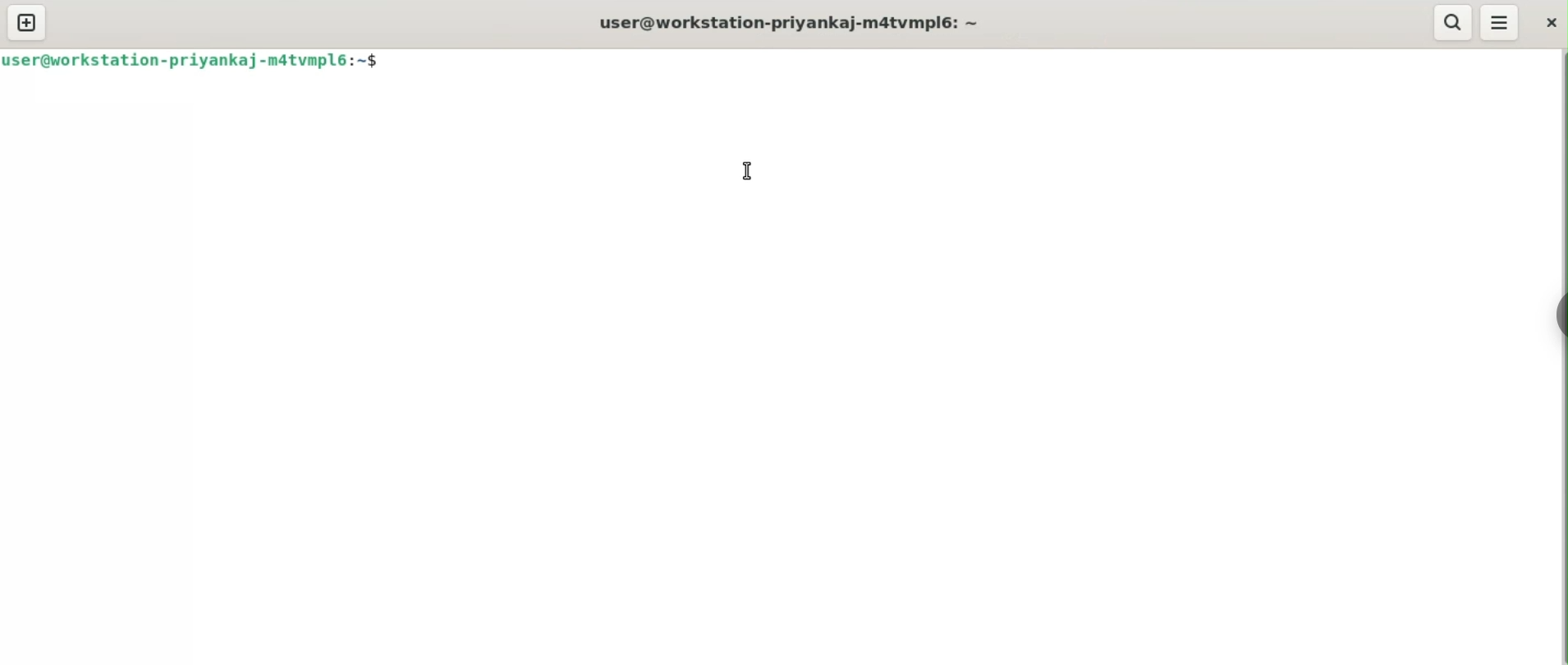 This screenshot has width=1568, height=665. I want to click on command input, so click(979, 62).